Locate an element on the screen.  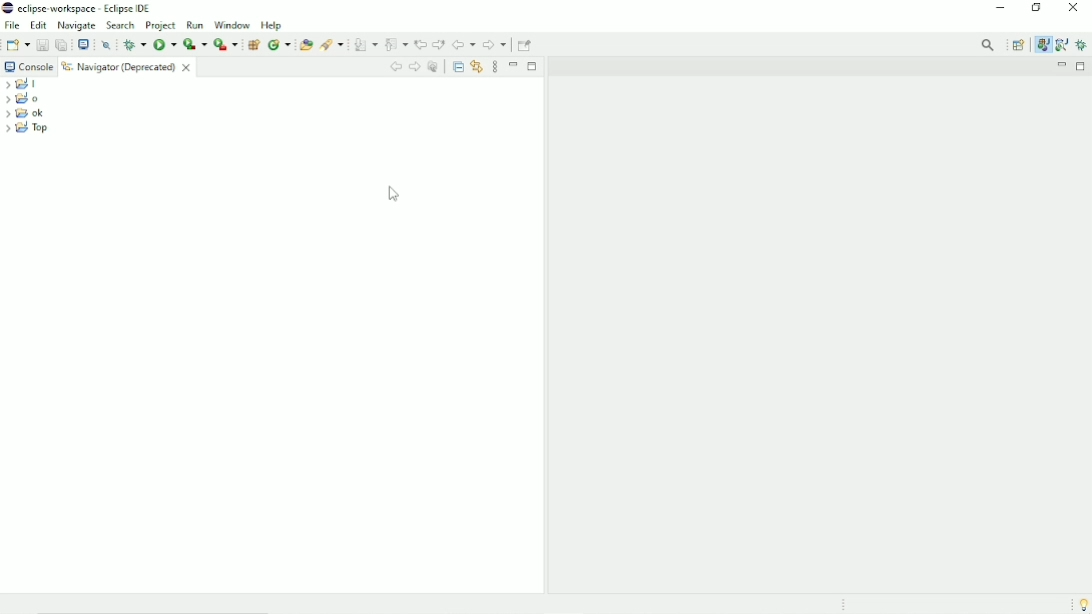
Minimize is located at coordinates (514, 64).